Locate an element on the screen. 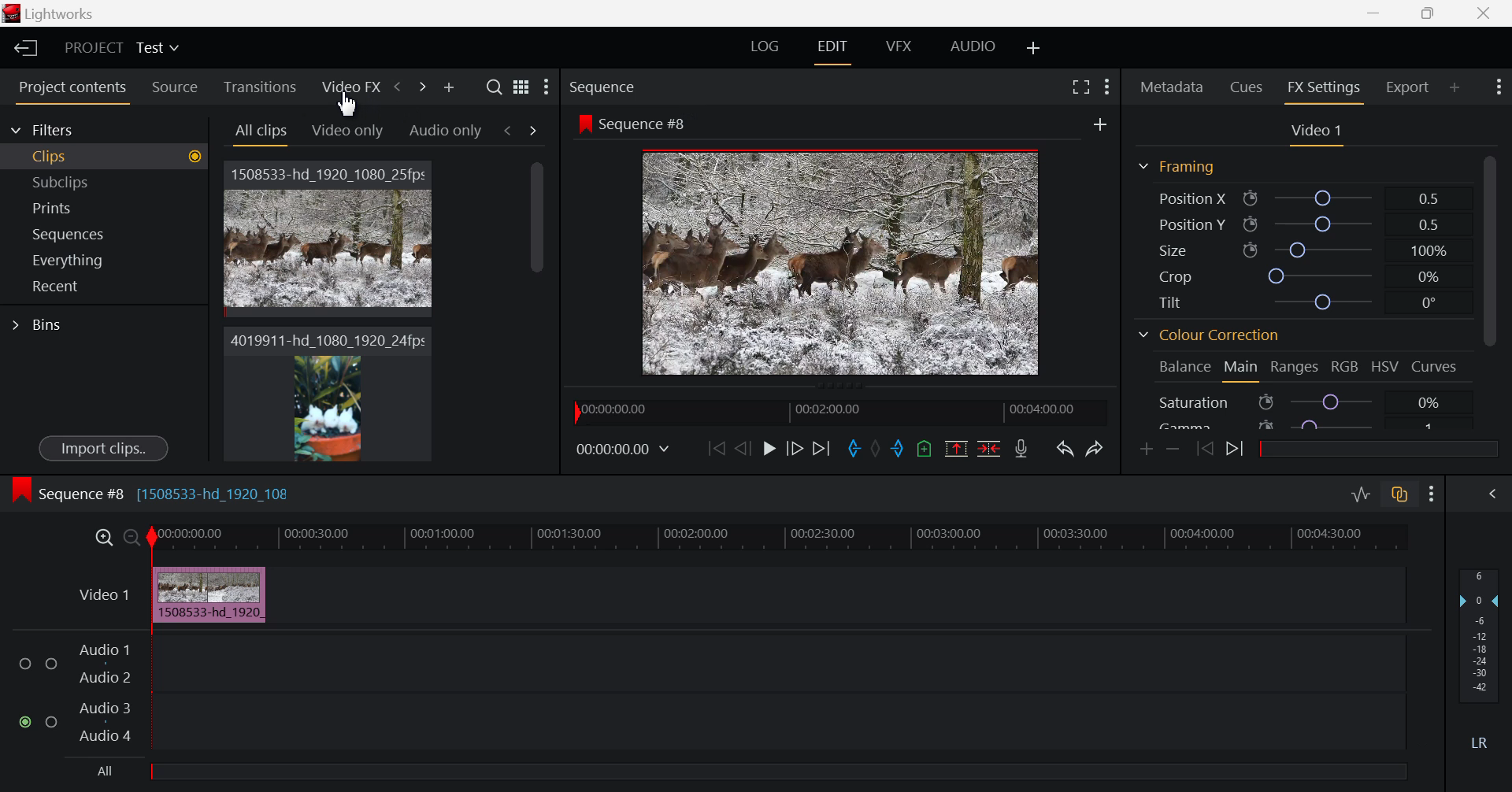  Clip 2 is located at coordinates (327, 395).